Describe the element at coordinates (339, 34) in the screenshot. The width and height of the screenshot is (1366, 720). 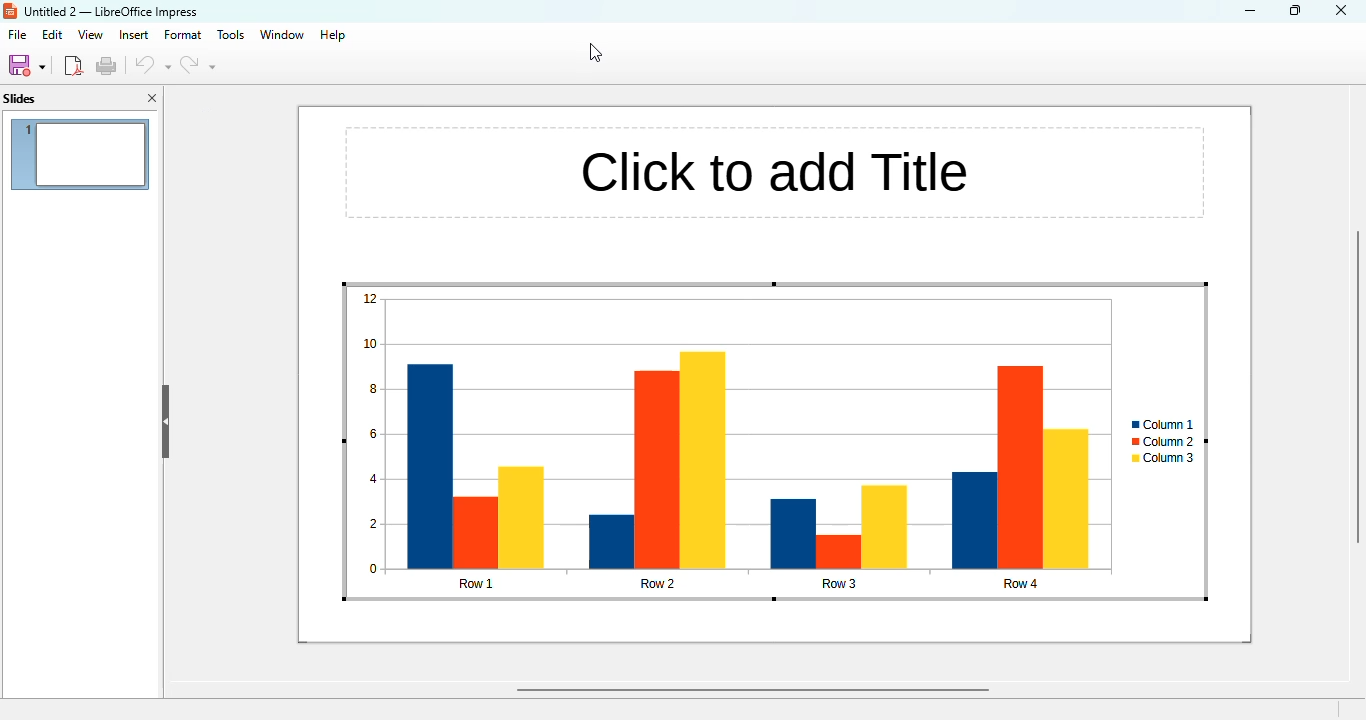
I see `help` at that location.